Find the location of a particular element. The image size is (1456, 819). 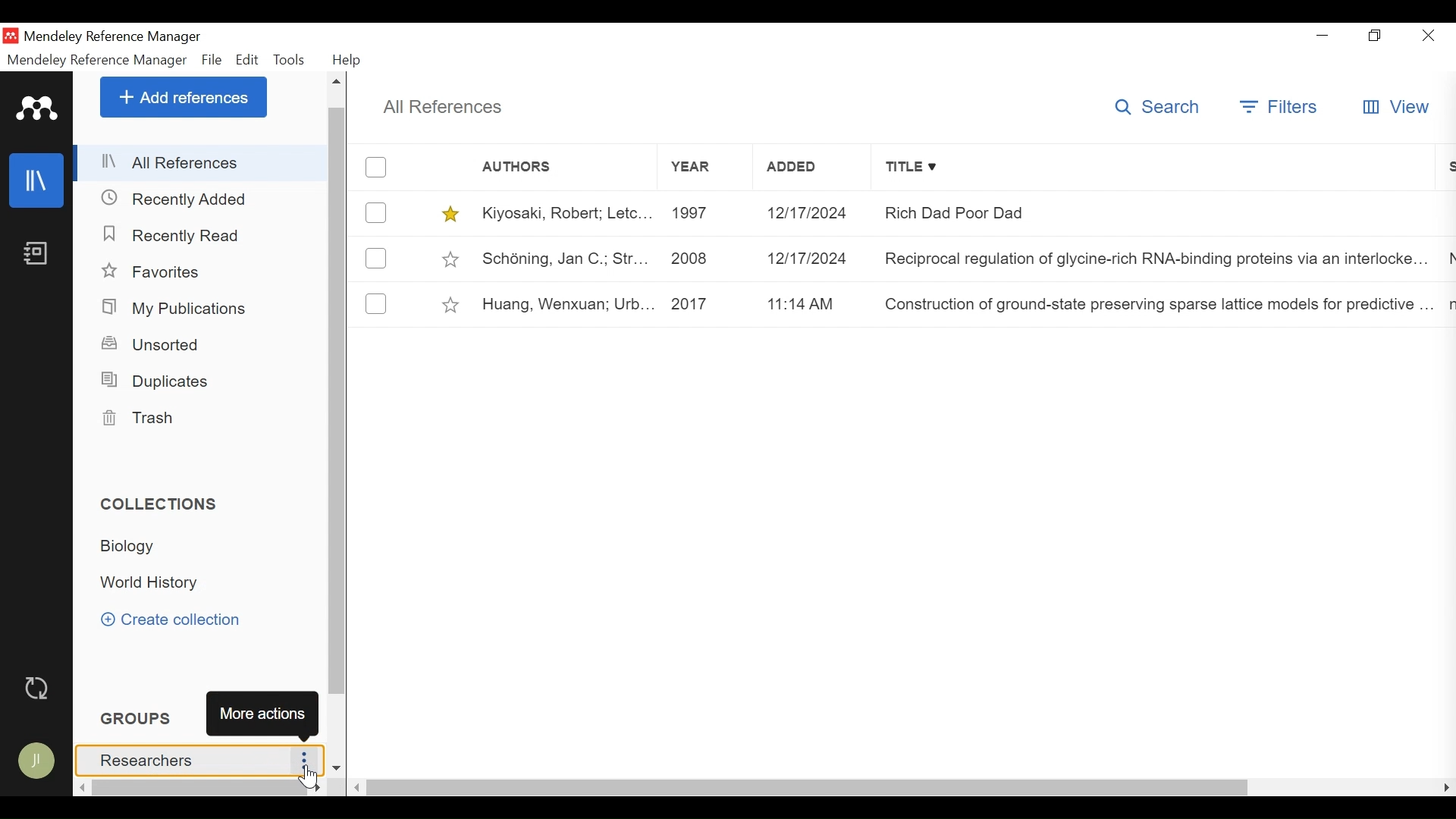

Schéning, Jan C.; Str... is located at coordinates (566, 259).